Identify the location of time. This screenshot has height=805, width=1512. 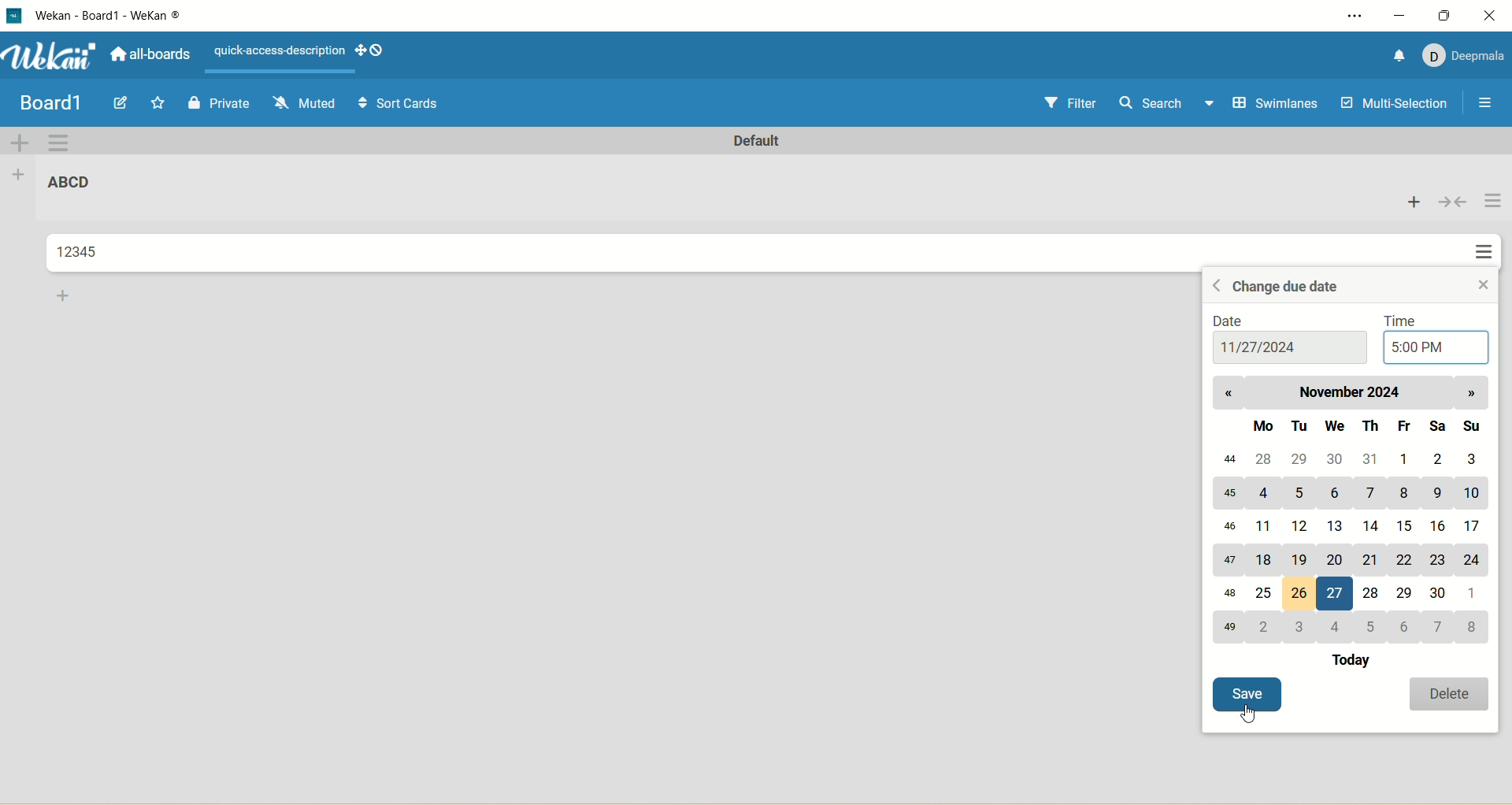
(1429, 321).